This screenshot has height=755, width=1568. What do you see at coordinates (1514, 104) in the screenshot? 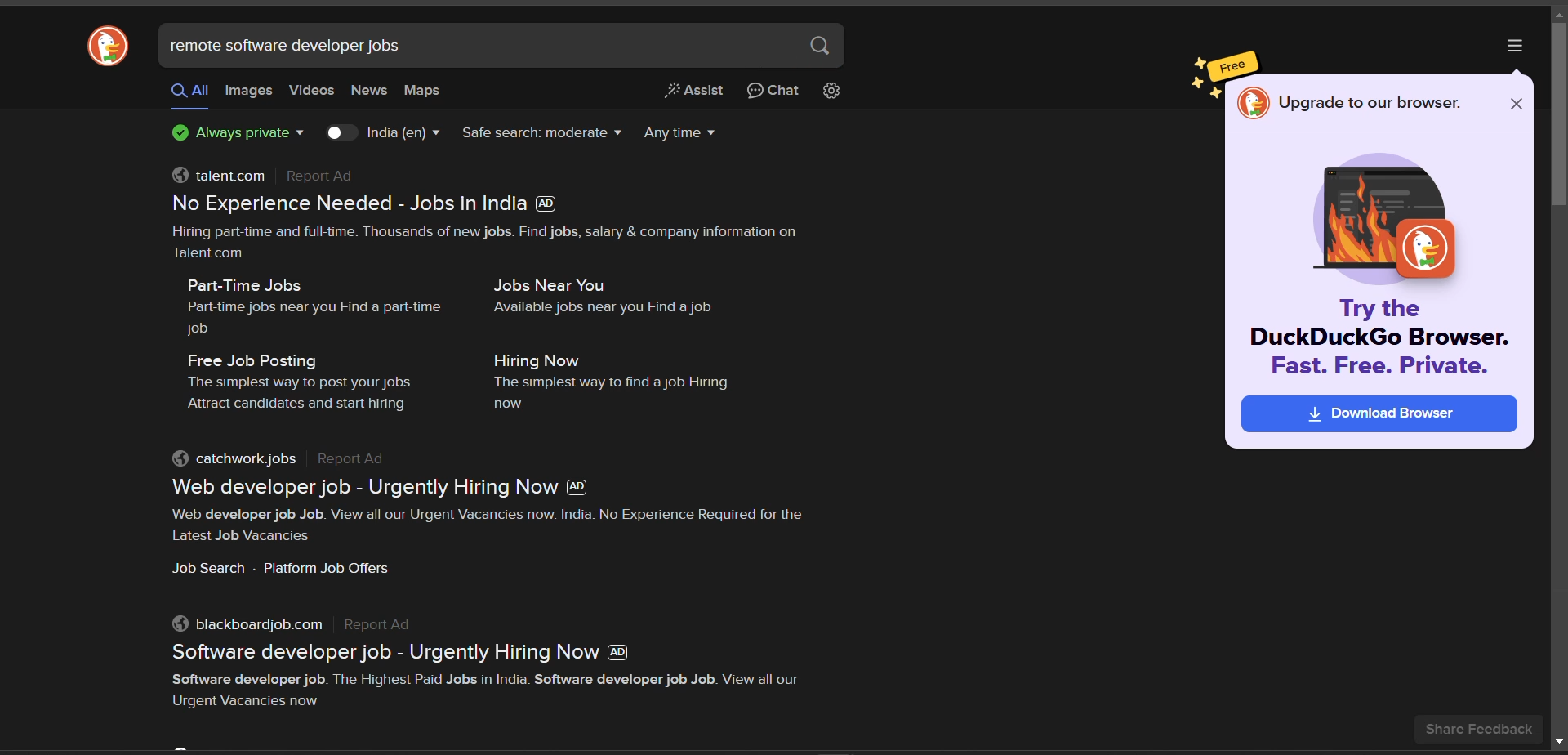
I see `close` at bounding box center [1514, 104].